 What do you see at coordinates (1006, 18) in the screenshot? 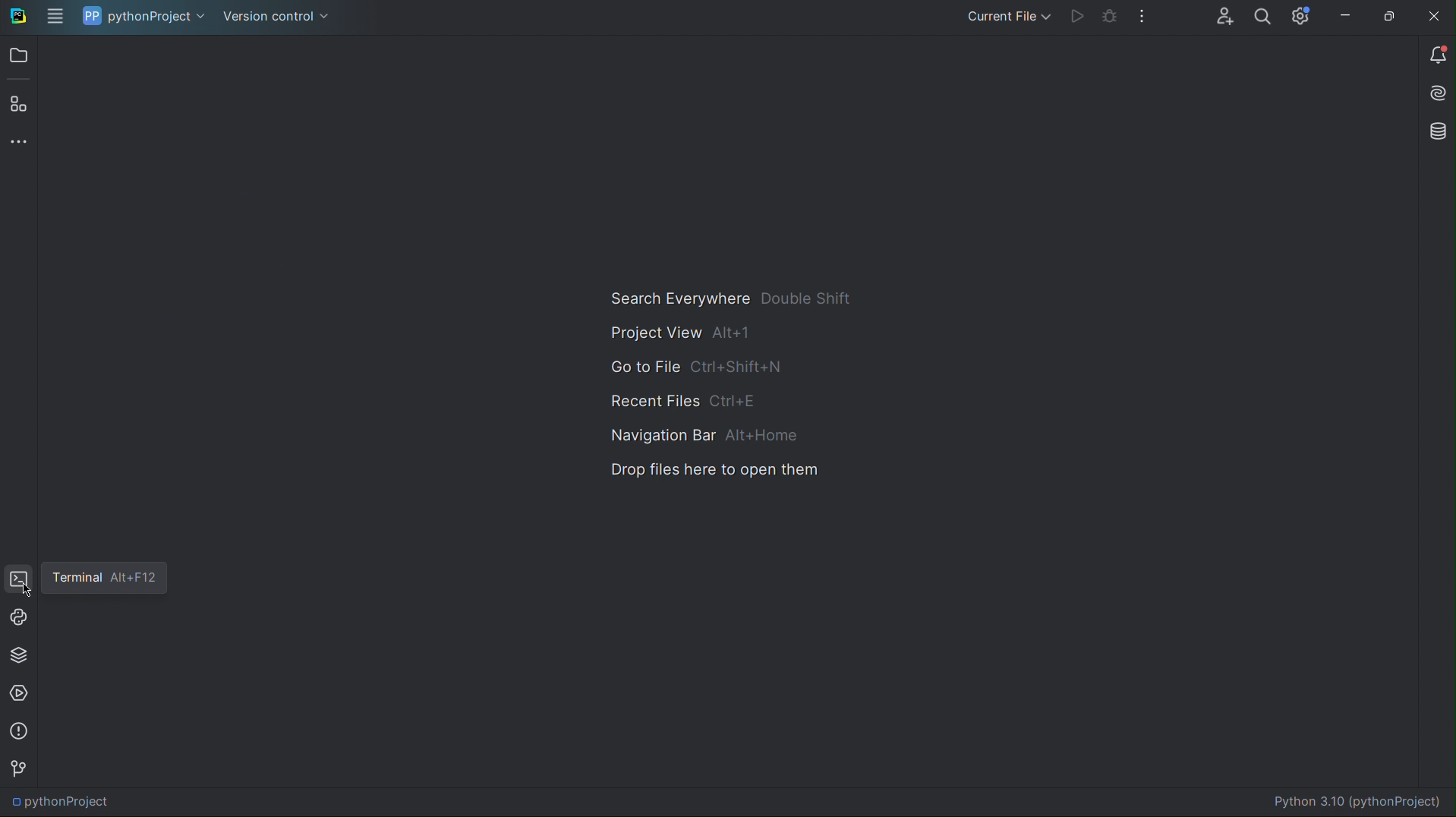
I see `Current File` at bounding box center [1006, 18].